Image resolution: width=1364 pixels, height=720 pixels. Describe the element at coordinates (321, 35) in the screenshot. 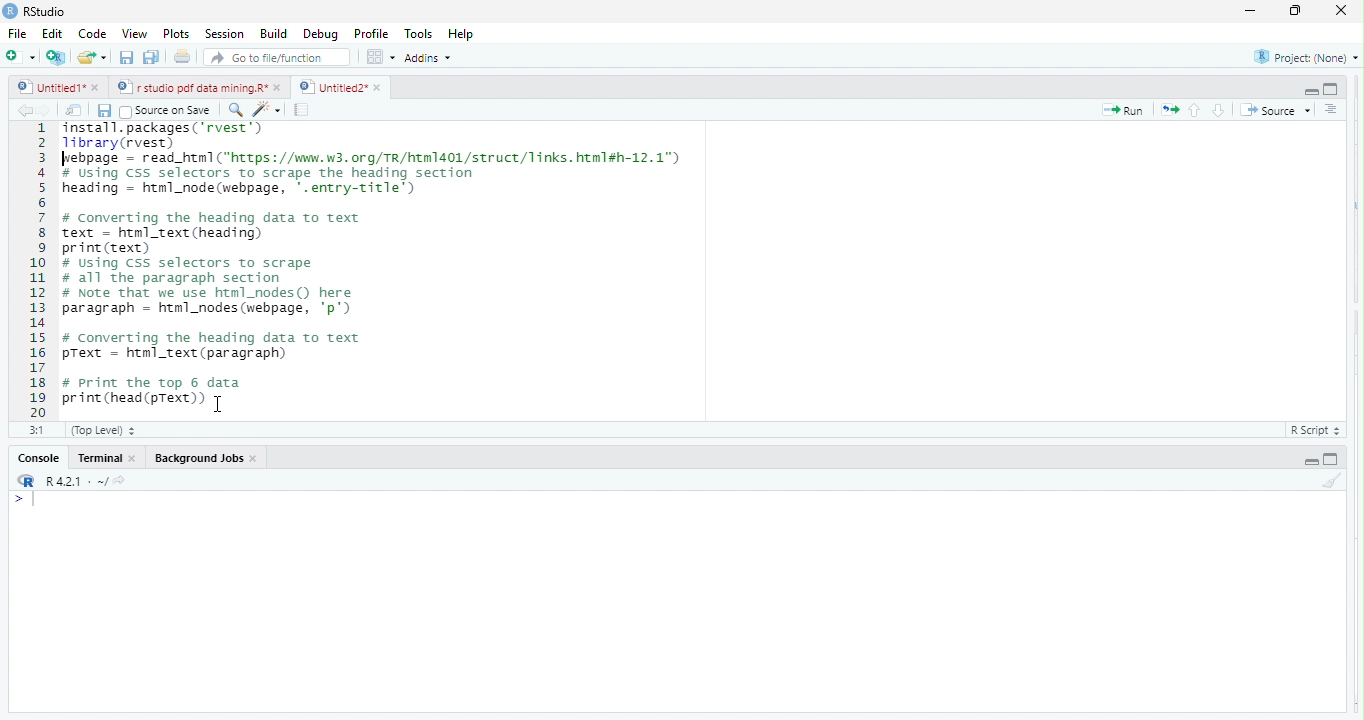

I see `Debug` at that location.